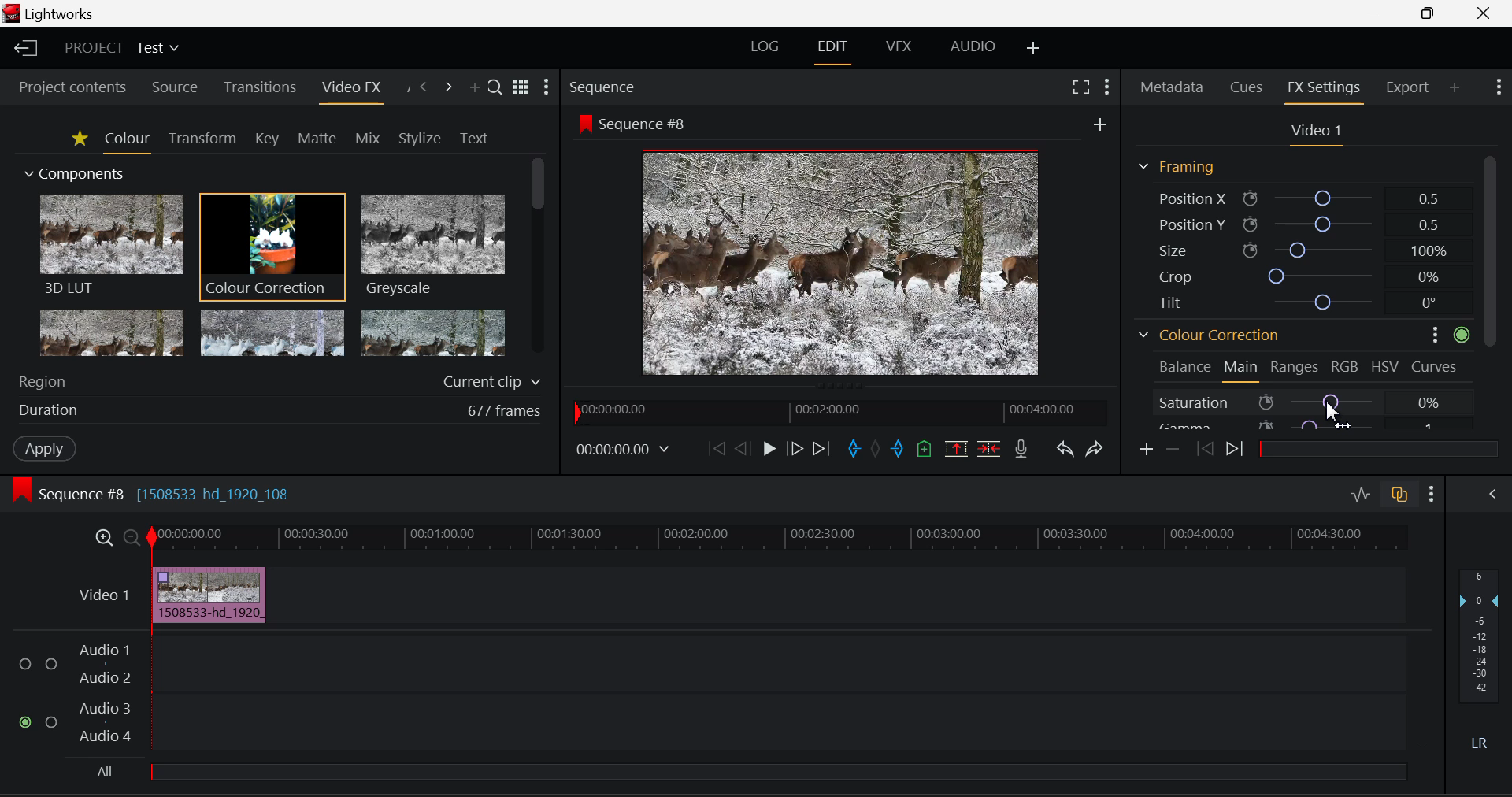 This screenshot has height=797, width=1512. I want to click on Metadata, so click(1172, 88).